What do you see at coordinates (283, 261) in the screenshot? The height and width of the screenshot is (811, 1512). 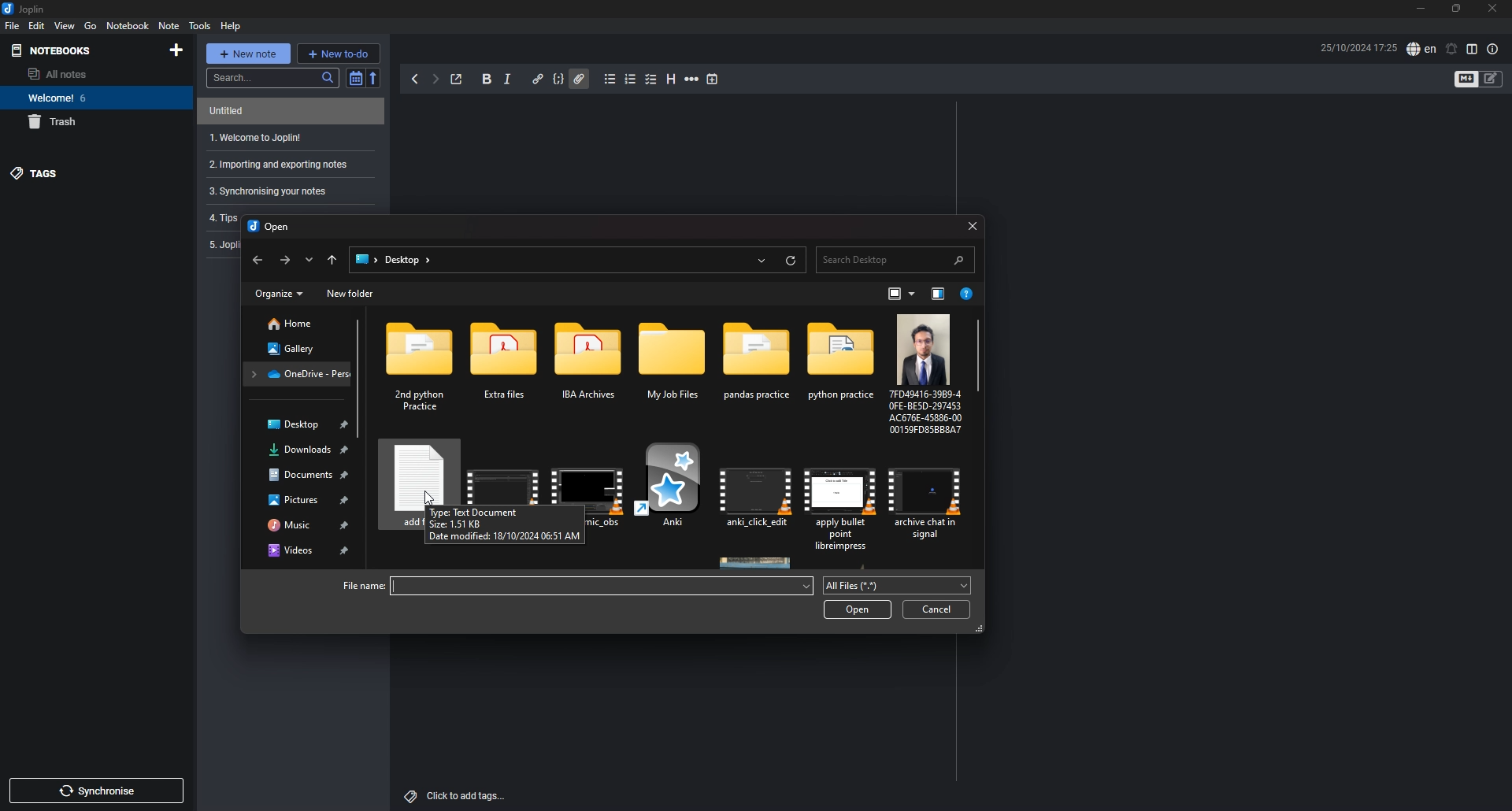 I see `forward` at bounding box center [283, 261].